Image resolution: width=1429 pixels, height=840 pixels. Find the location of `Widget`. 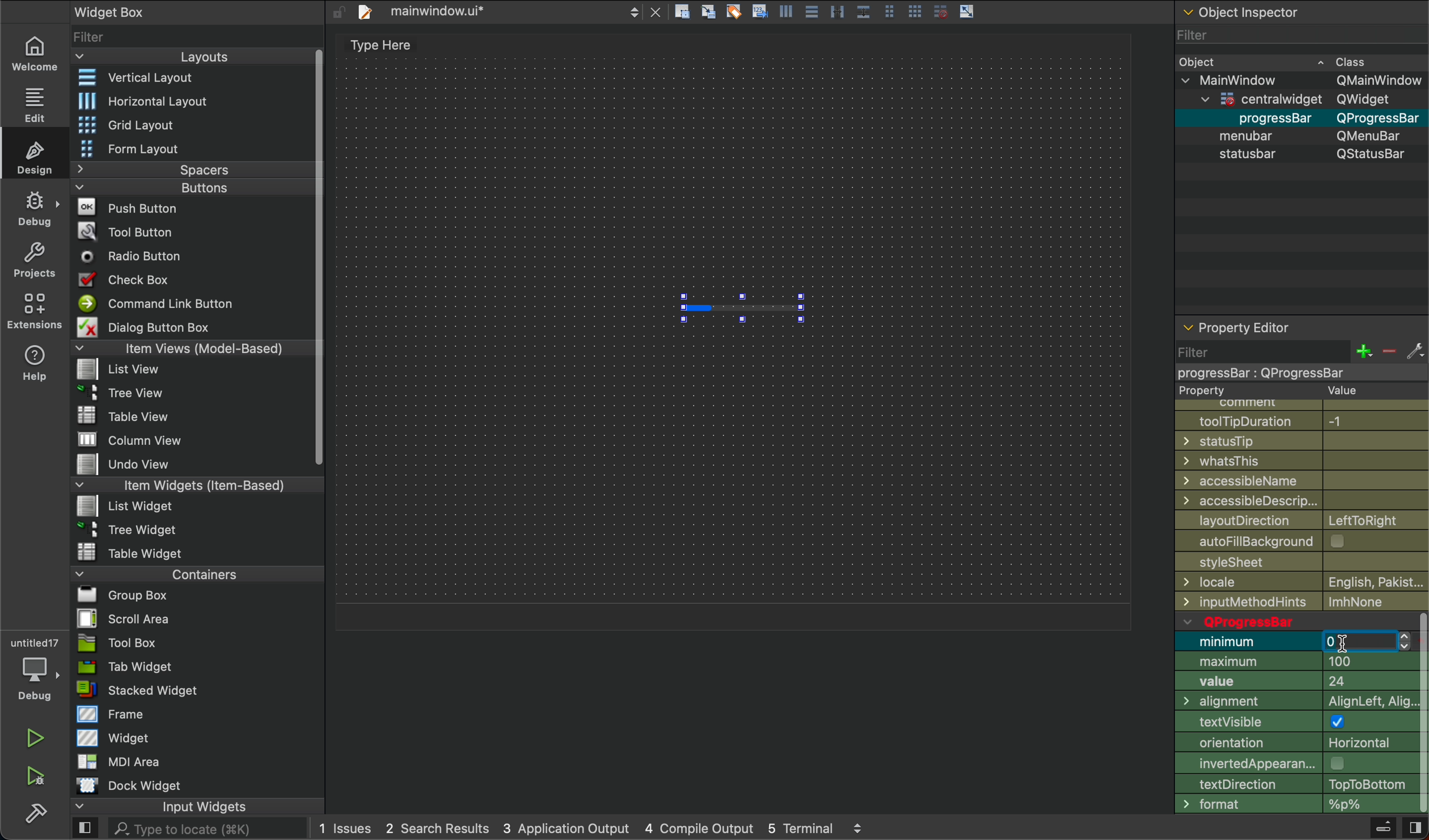

Widget is located at coordinates (116, 737).